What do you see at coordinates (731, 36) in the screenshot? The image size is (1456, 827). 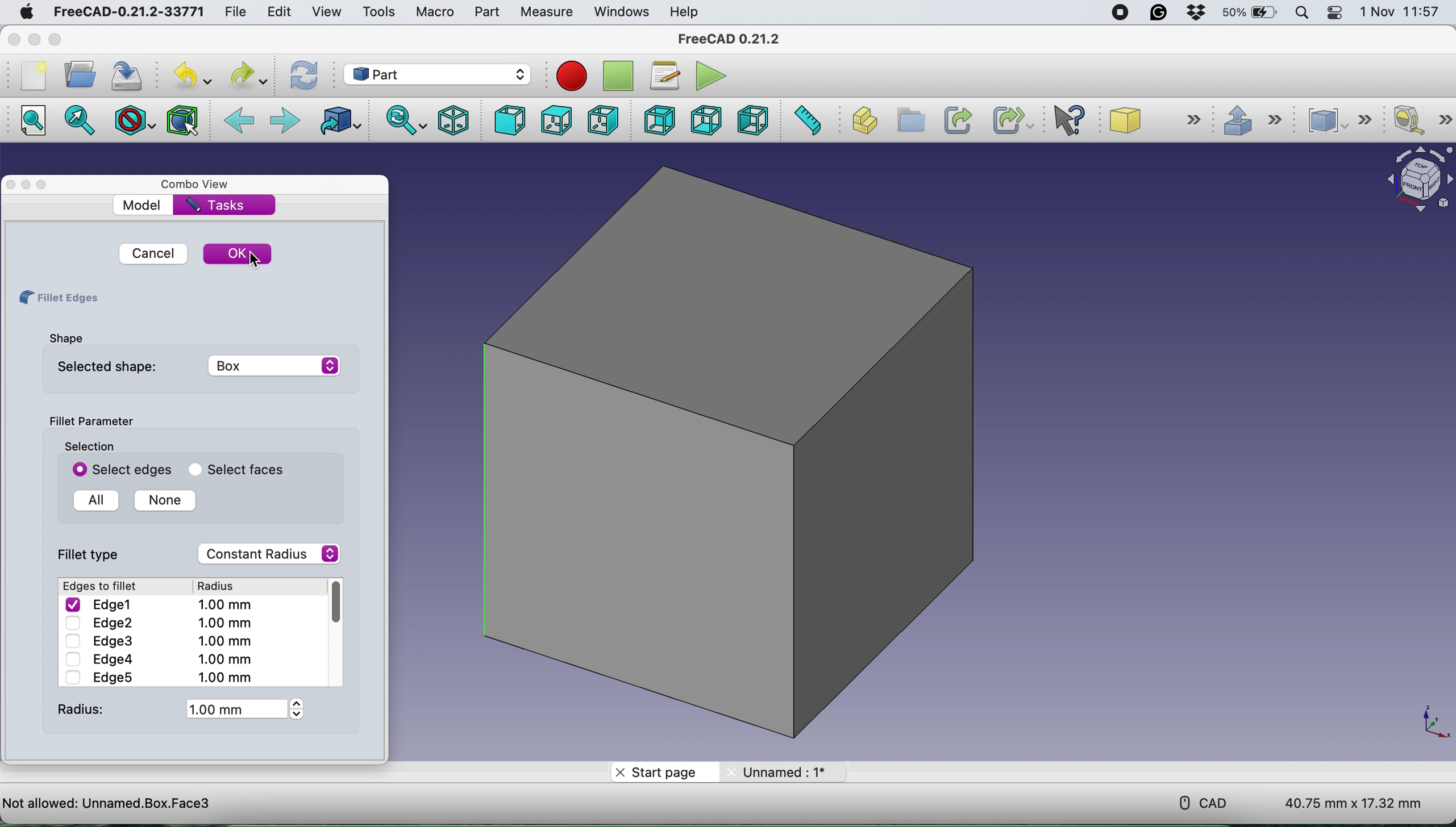 I see `freecad 0.21.2` at bounding box center [731, 36].